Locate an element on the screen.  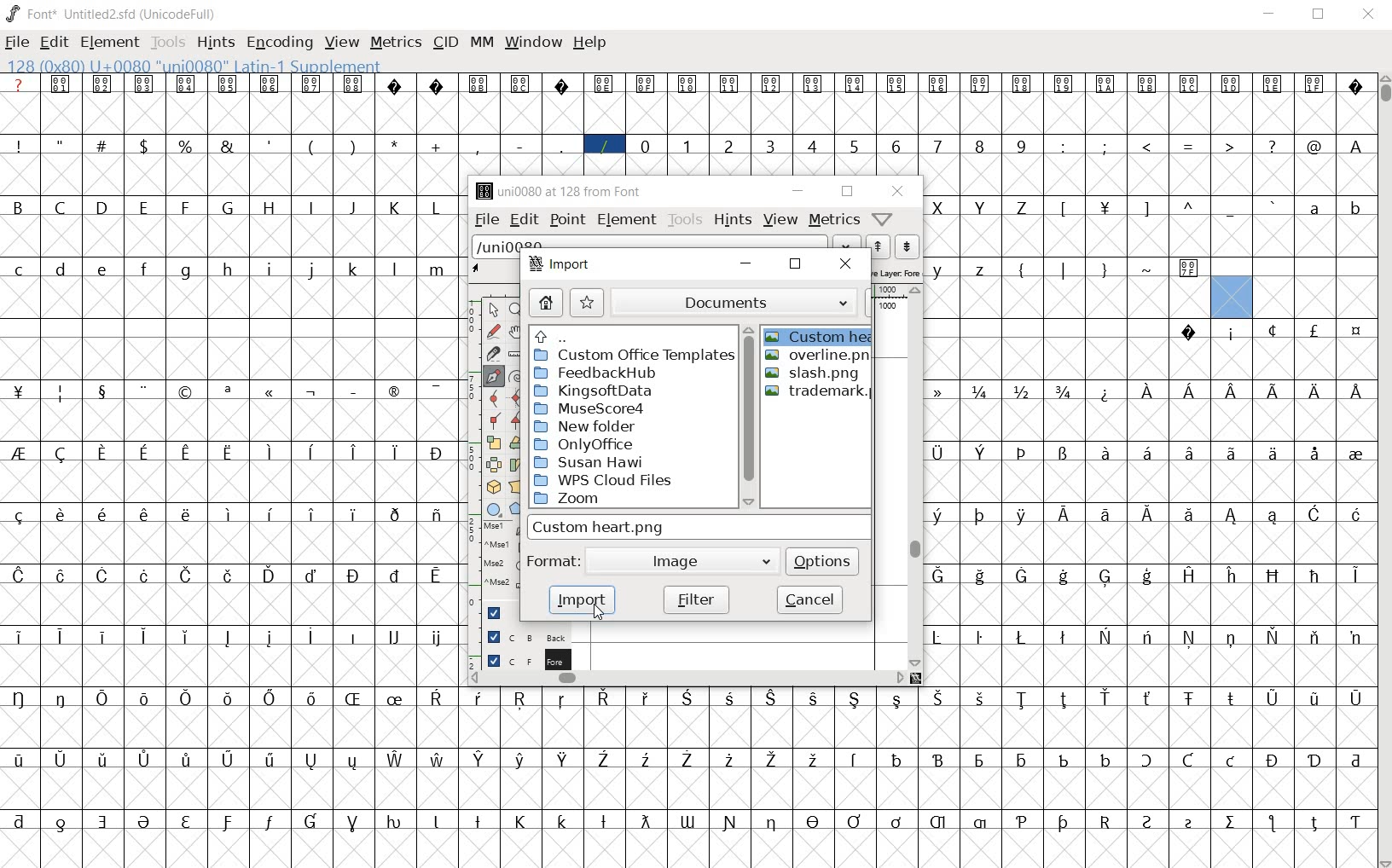
glyph is located at coordinates (1106, 394).